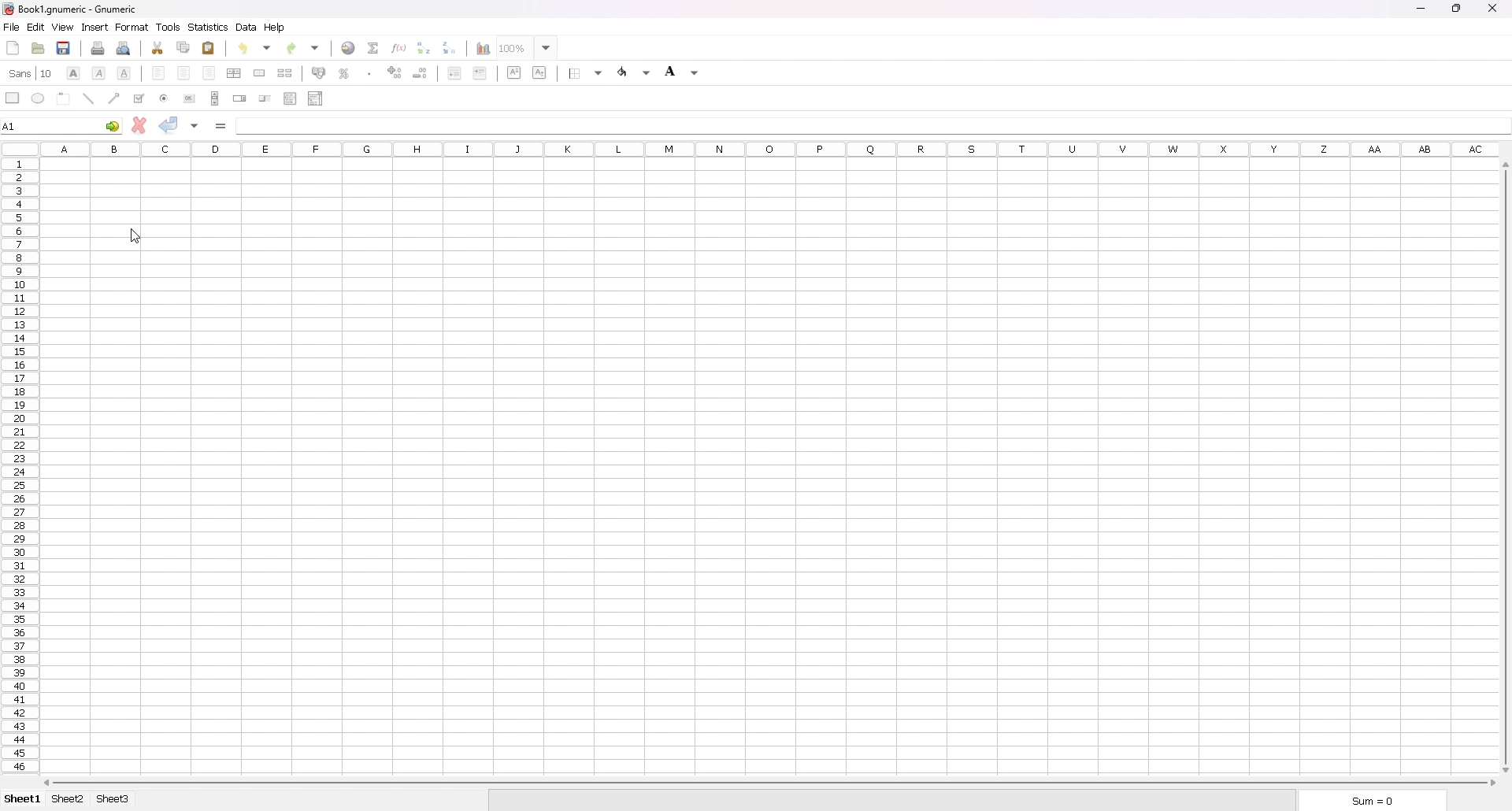  What do you see at coordinates (482, 49) in the screenshot?
I see `chart` at bounding box center [482, 49].